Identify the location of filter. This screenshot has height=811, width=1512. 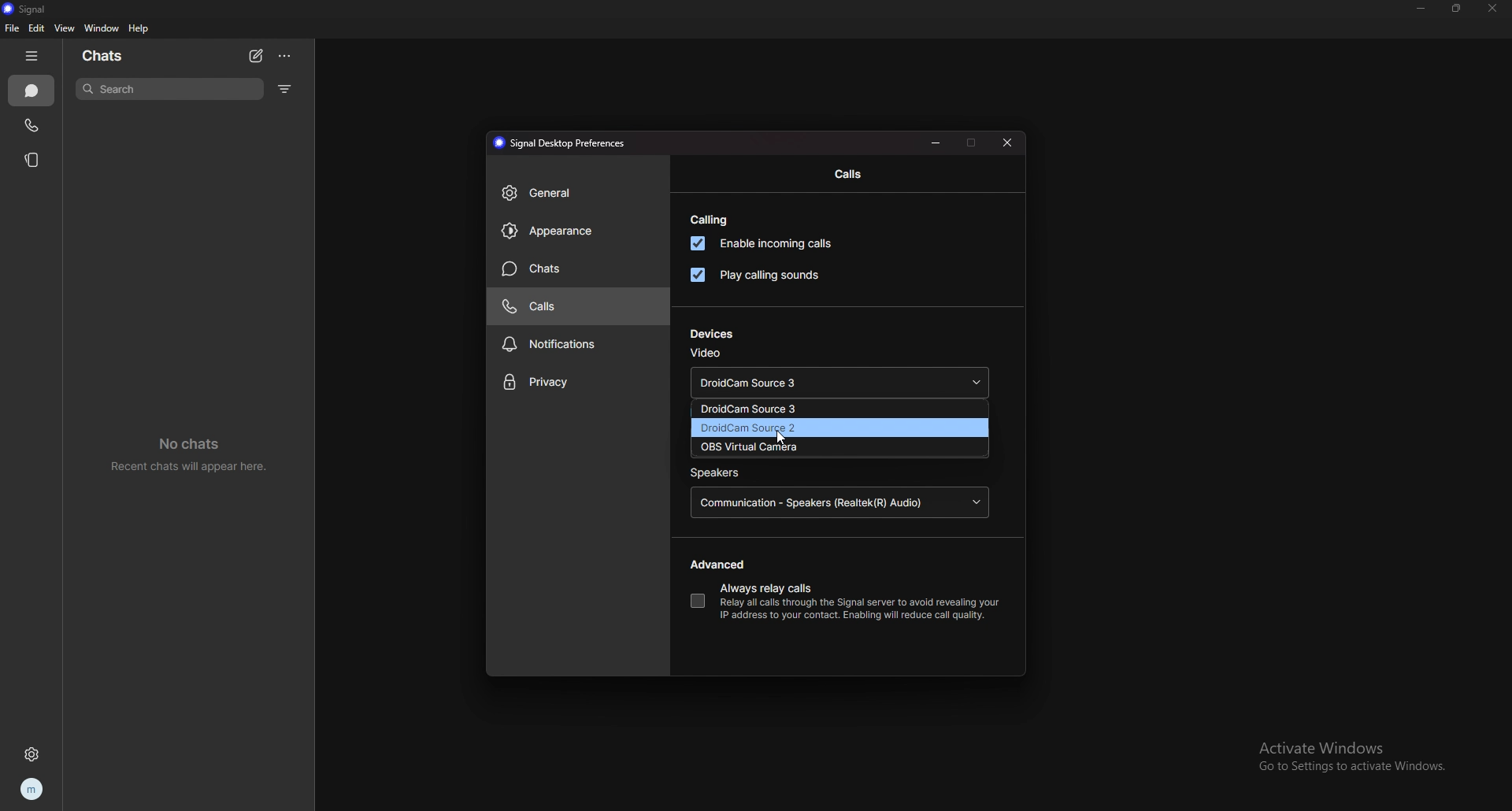
(285, 89).